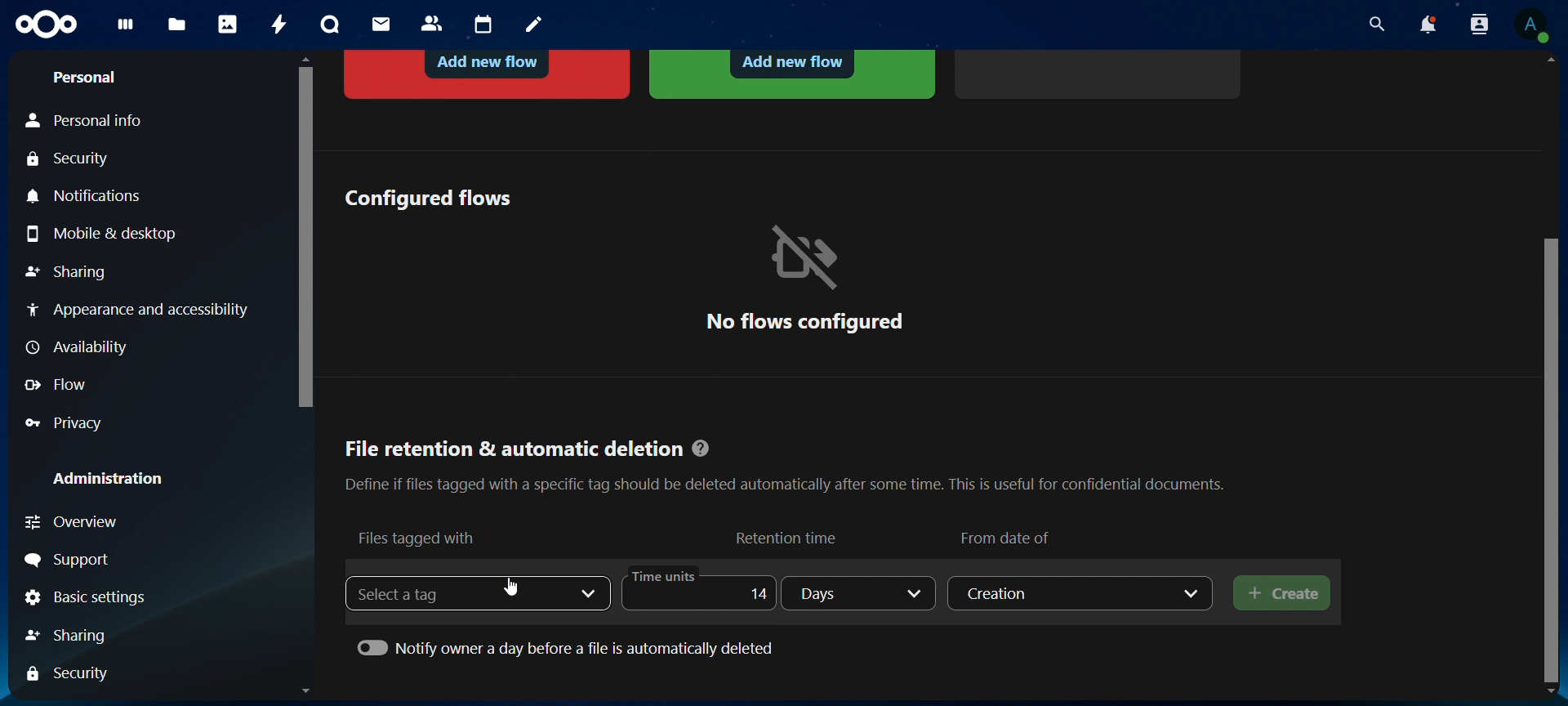  What do you see at coordinates (694, 591) in the screenshot?
I see `time units` at bounding box center [694, 591].